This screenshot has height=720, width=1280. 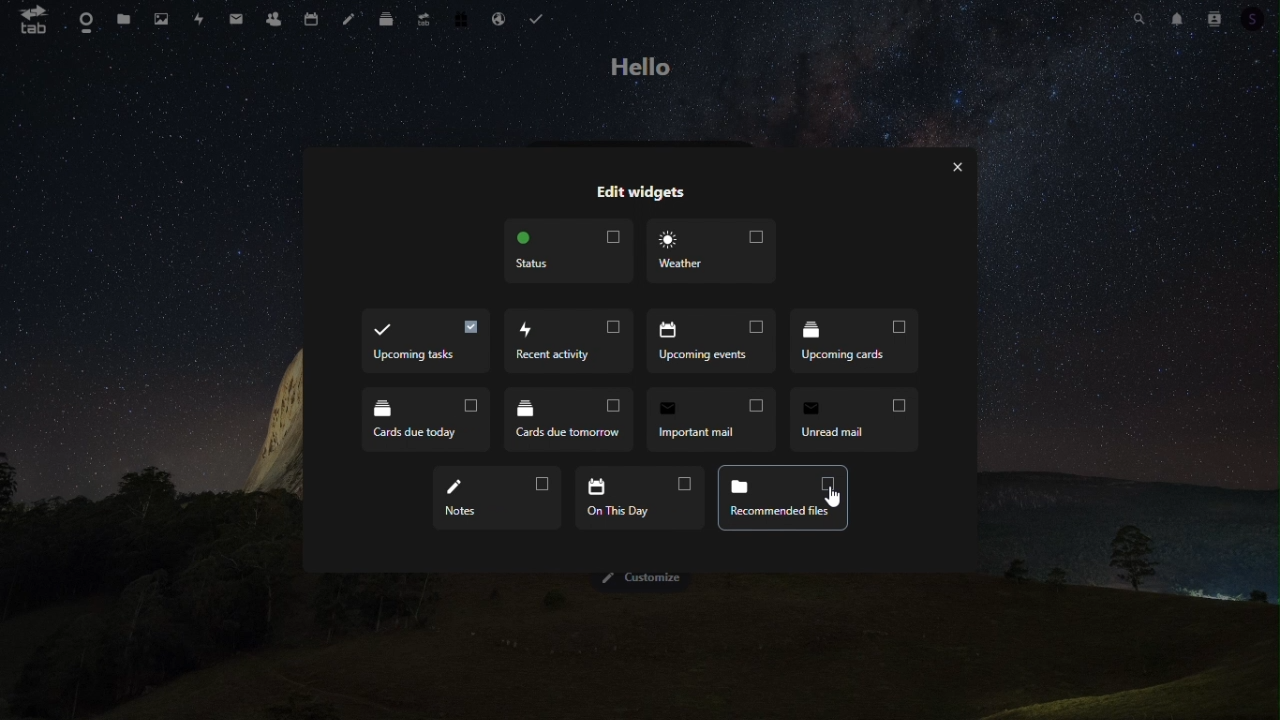 What do you see at coordinates (496, 497) in the screenshot?
I see `On this day` at bounding box center [496, 497].